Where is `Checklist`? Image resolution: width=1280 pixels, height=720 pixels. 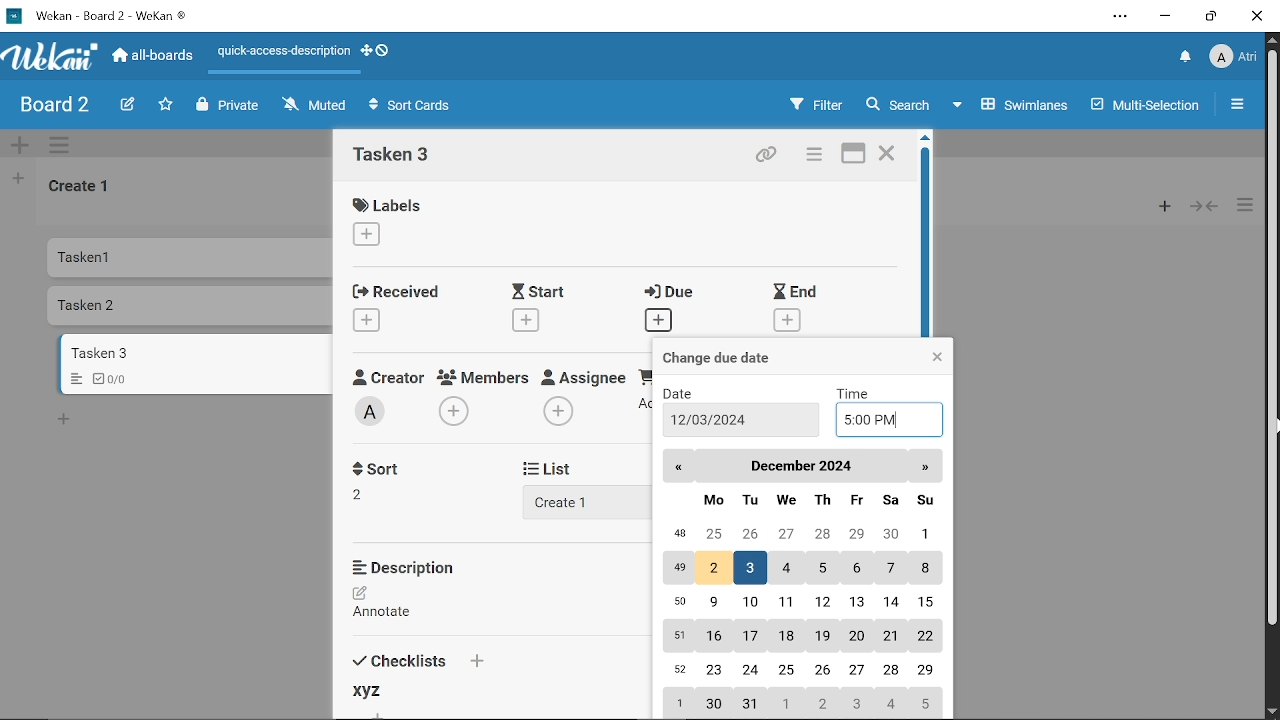
Checklist is located at coordinates (117, 379).